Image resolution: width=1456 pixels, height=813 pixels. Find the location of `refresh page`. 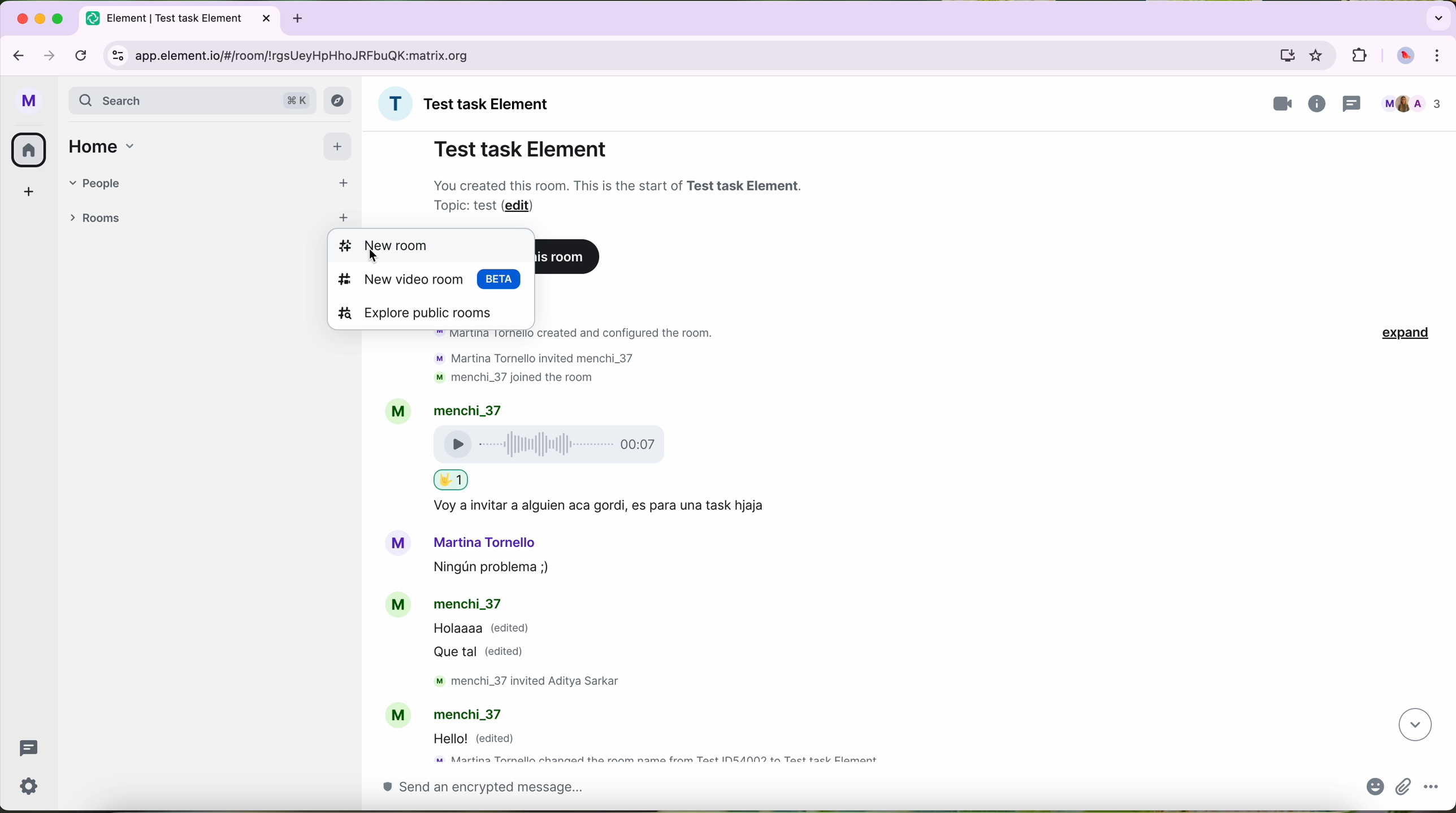

refresh page is located at coordinates (82, 54).